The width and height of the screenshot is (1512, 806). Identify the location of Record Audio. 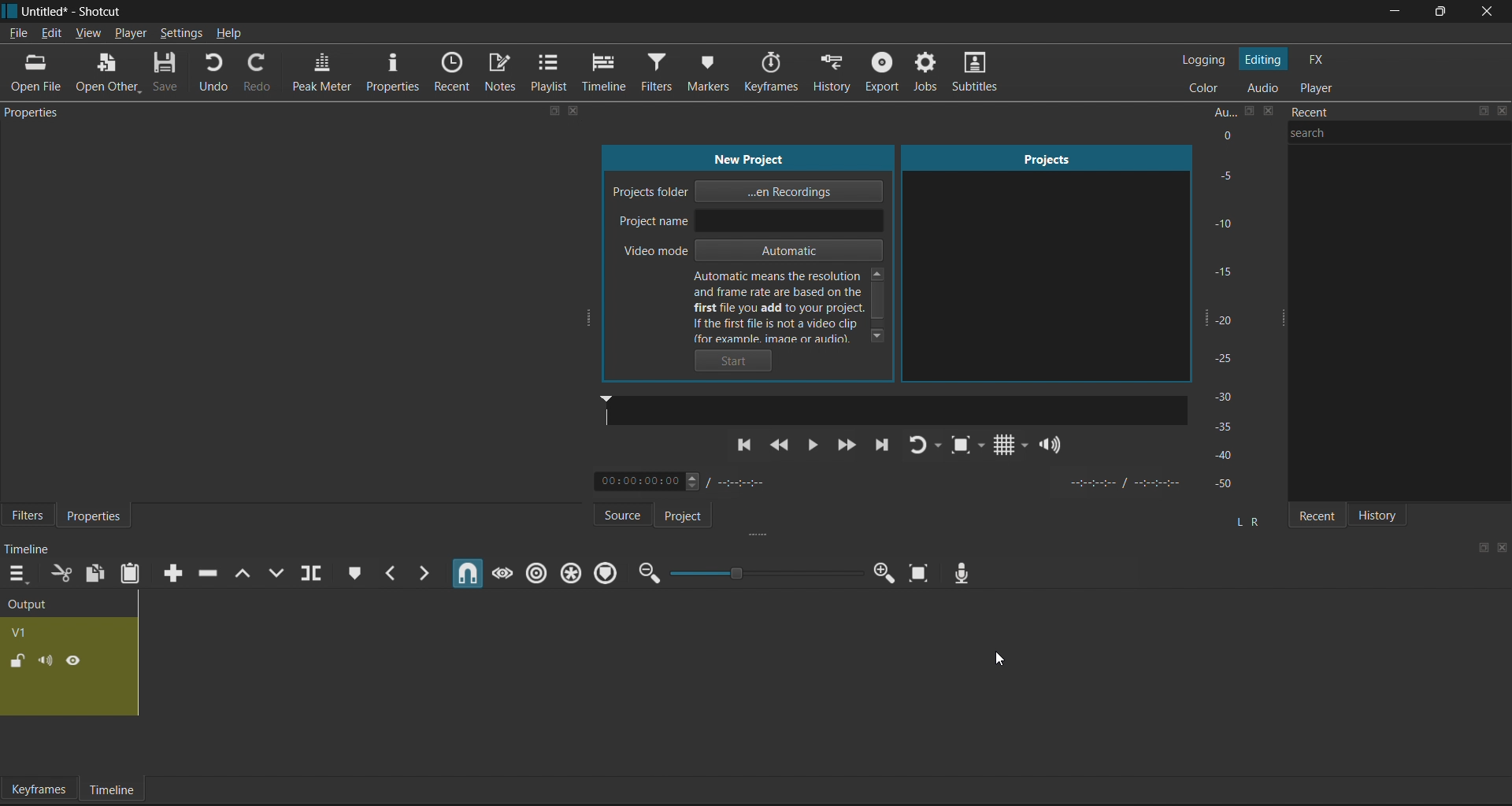
(960, 571).